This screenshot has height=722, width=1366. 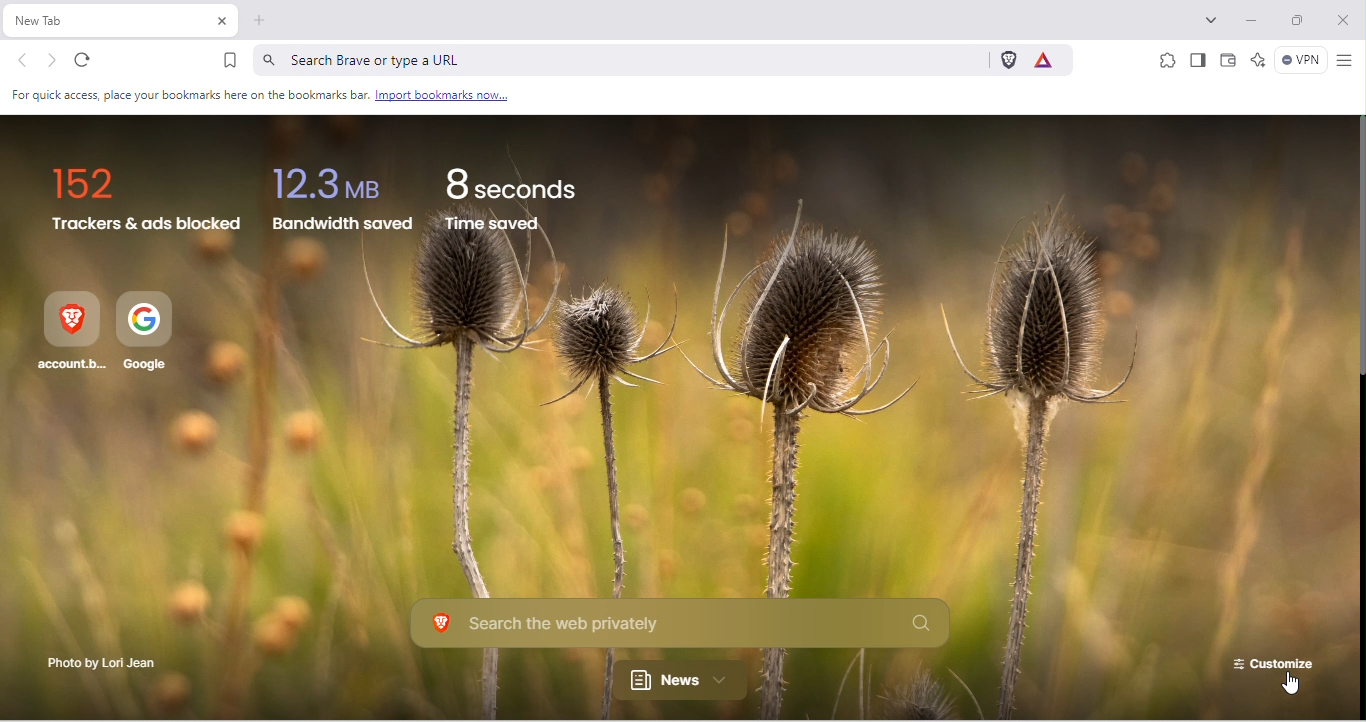 What do you see at coordinates (1282, 688) in the screenshot?
I see `Cursor` at bounding box center [1282, 688].